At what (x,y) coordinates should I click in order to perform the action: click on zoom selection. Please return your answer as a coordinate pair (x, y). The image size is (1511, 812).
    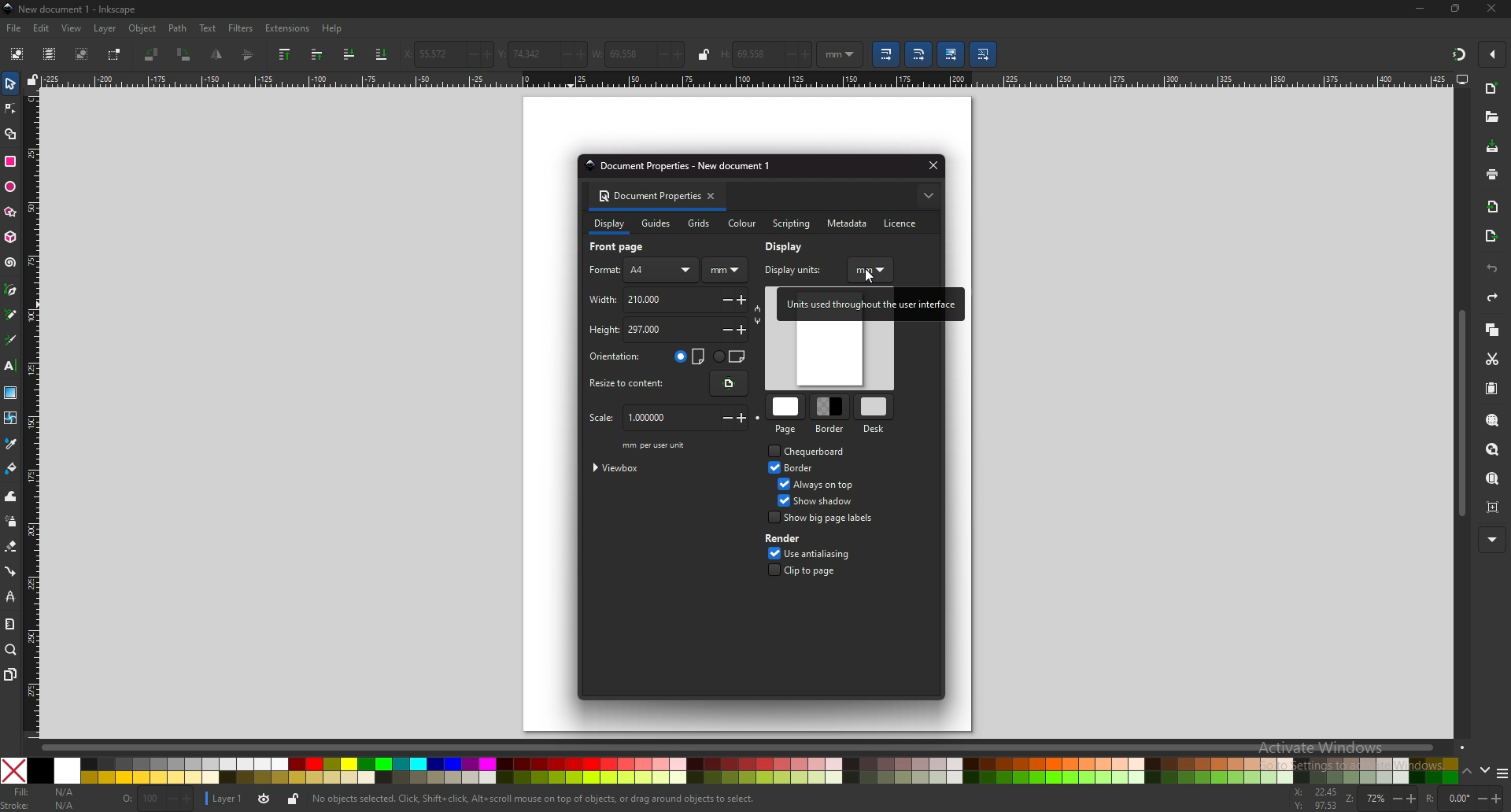
    Looking at the image, I should click on (1492, 420).